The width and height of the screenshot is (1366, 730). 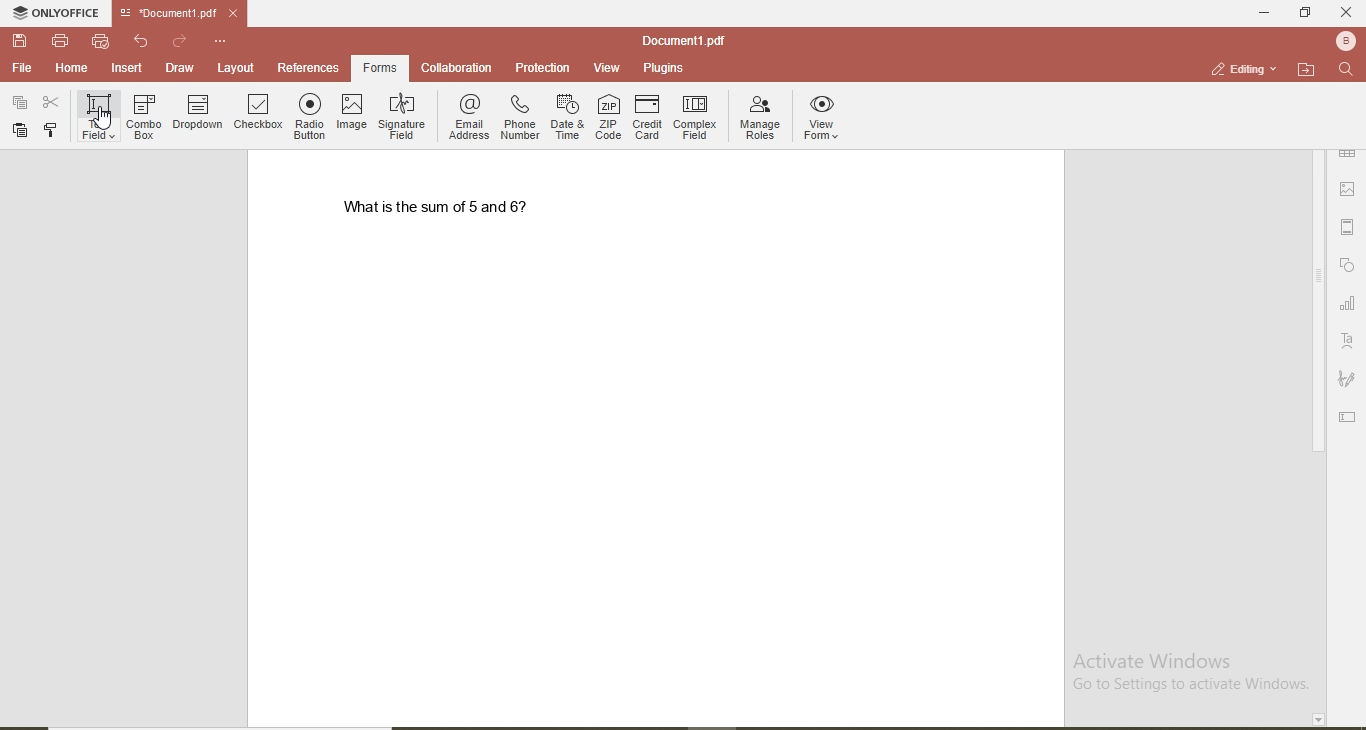 I want to click on print, so click(x=58, y=40).